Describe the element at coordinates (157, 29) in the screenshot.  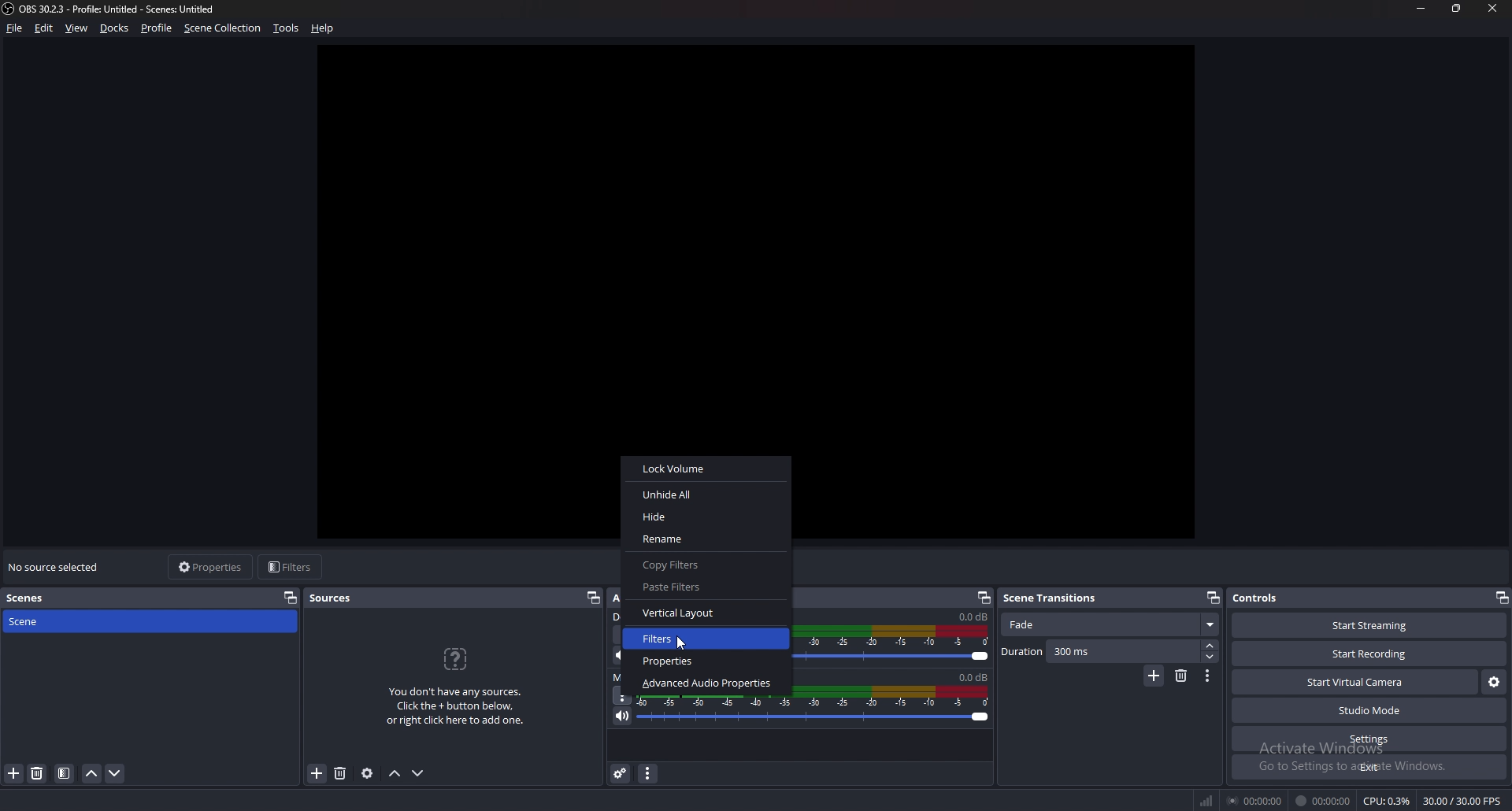
I see `profile` at that location.